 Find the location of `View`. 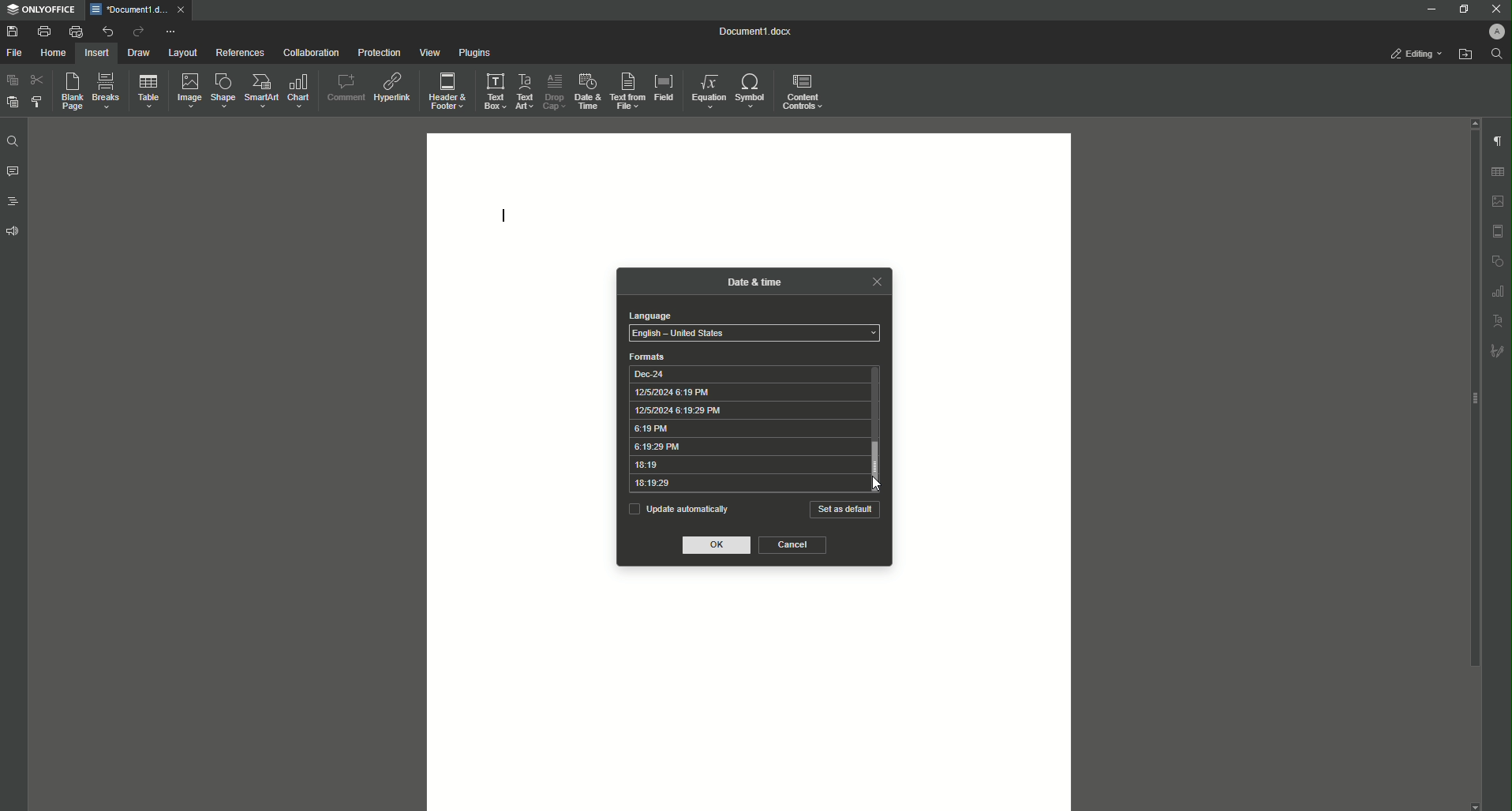

View is located at coordinates (425, 52).